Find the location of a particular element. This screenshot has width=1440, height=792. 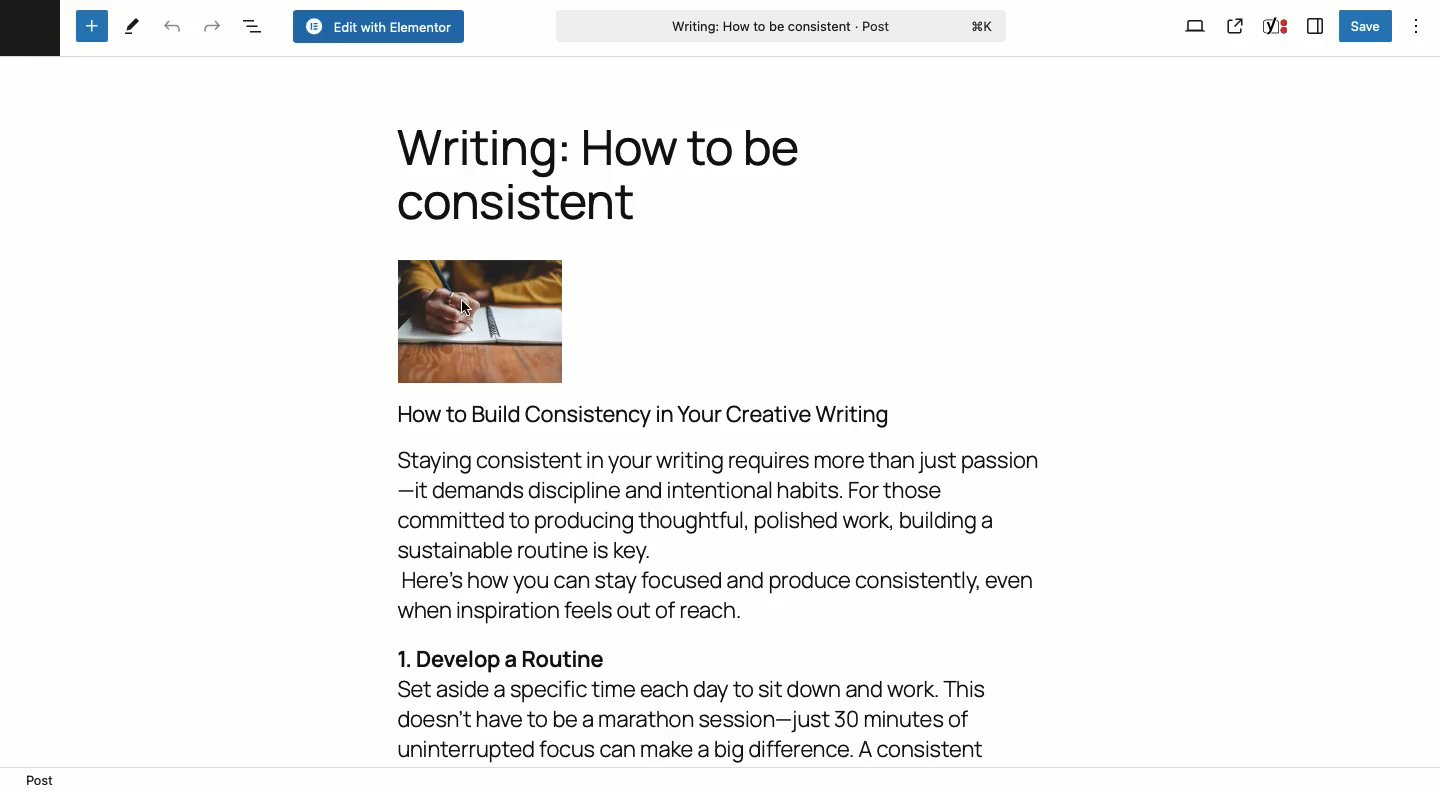

Tools is located at coordinates (135, 26).